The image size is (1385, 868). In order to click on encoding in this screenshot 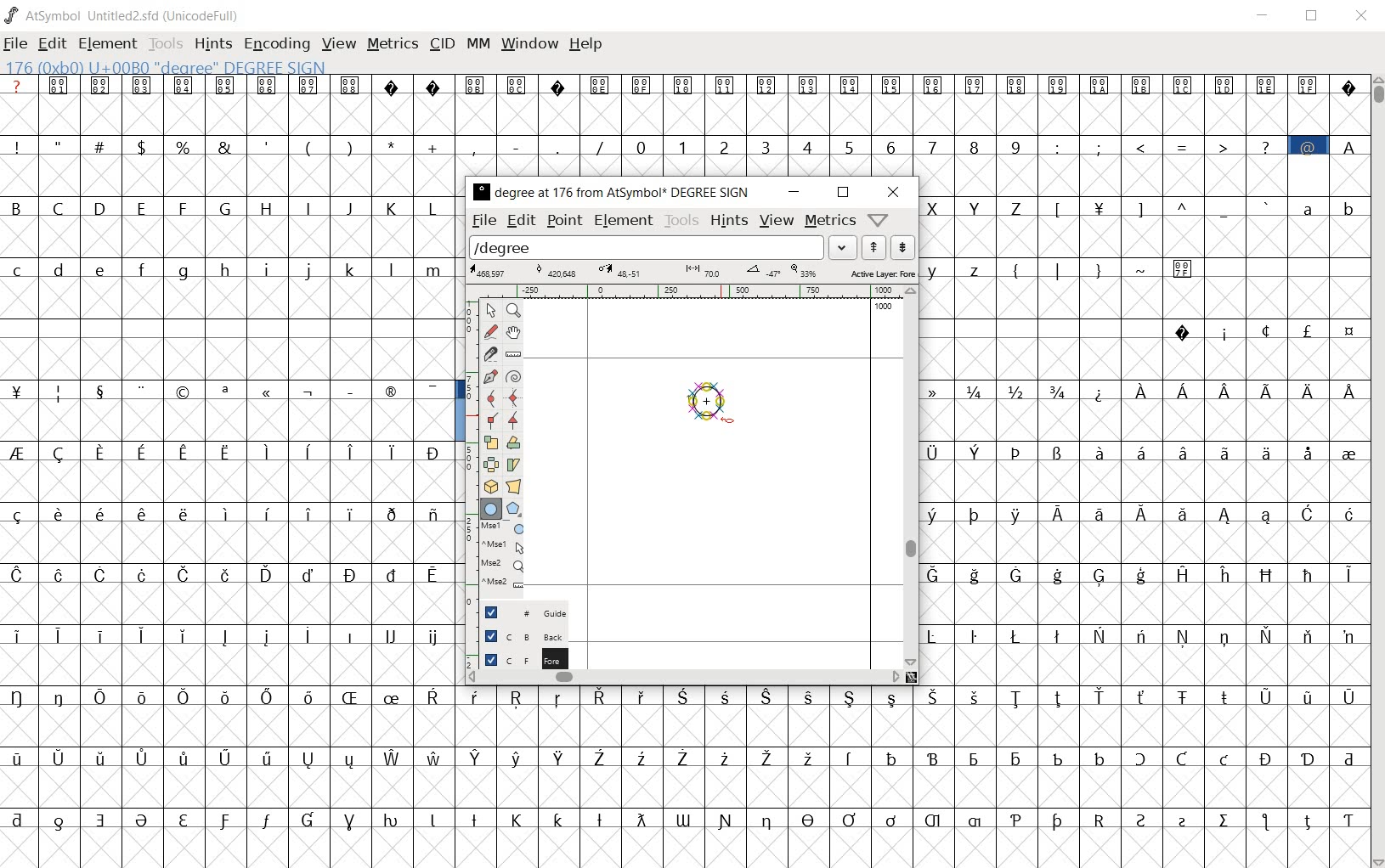, I will do `click(277, 43)`.